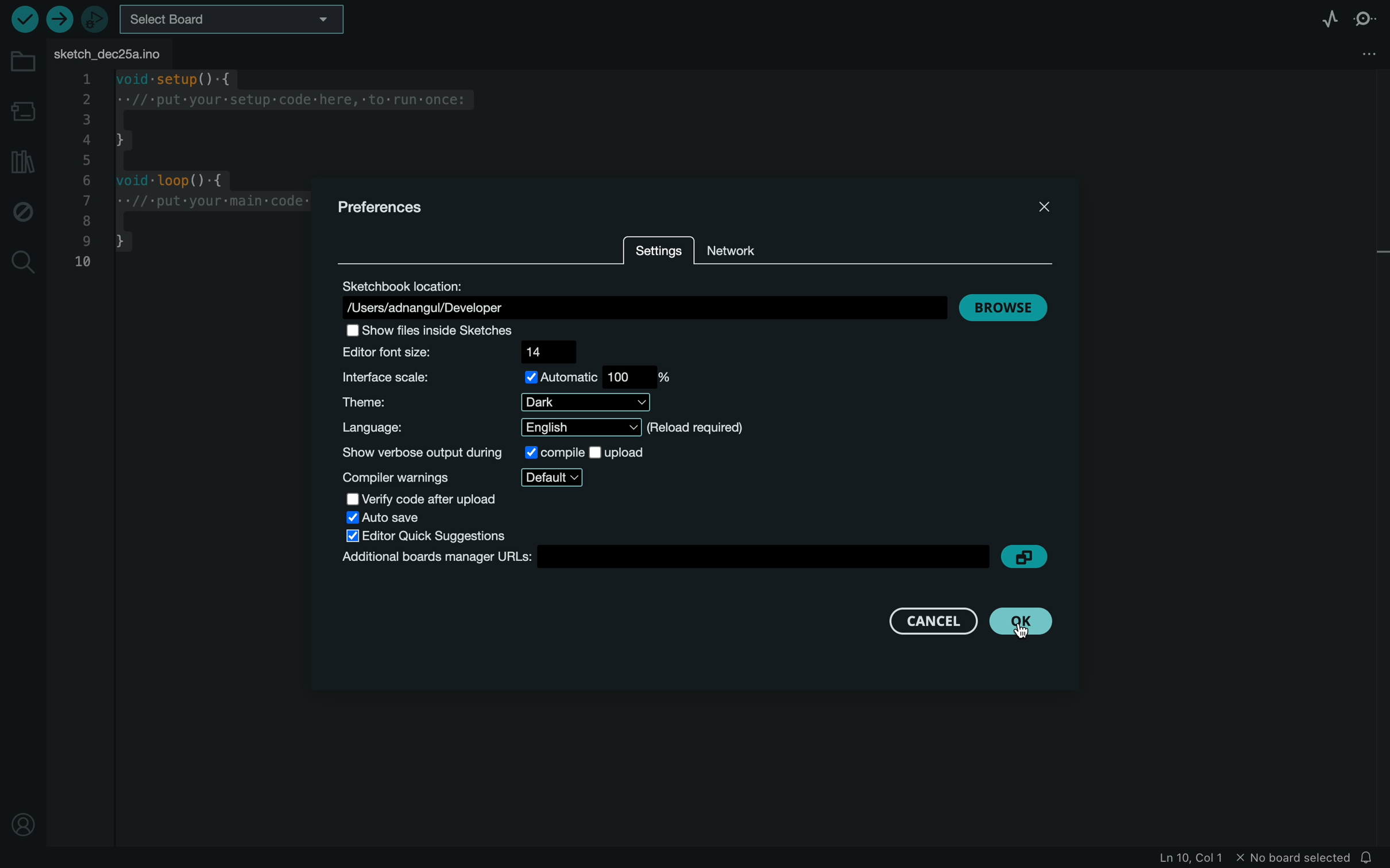 The image size is (1390, 868). Describe the element at coordinates (1350, 54) in the screenshot. I see `file  settings` at that location.